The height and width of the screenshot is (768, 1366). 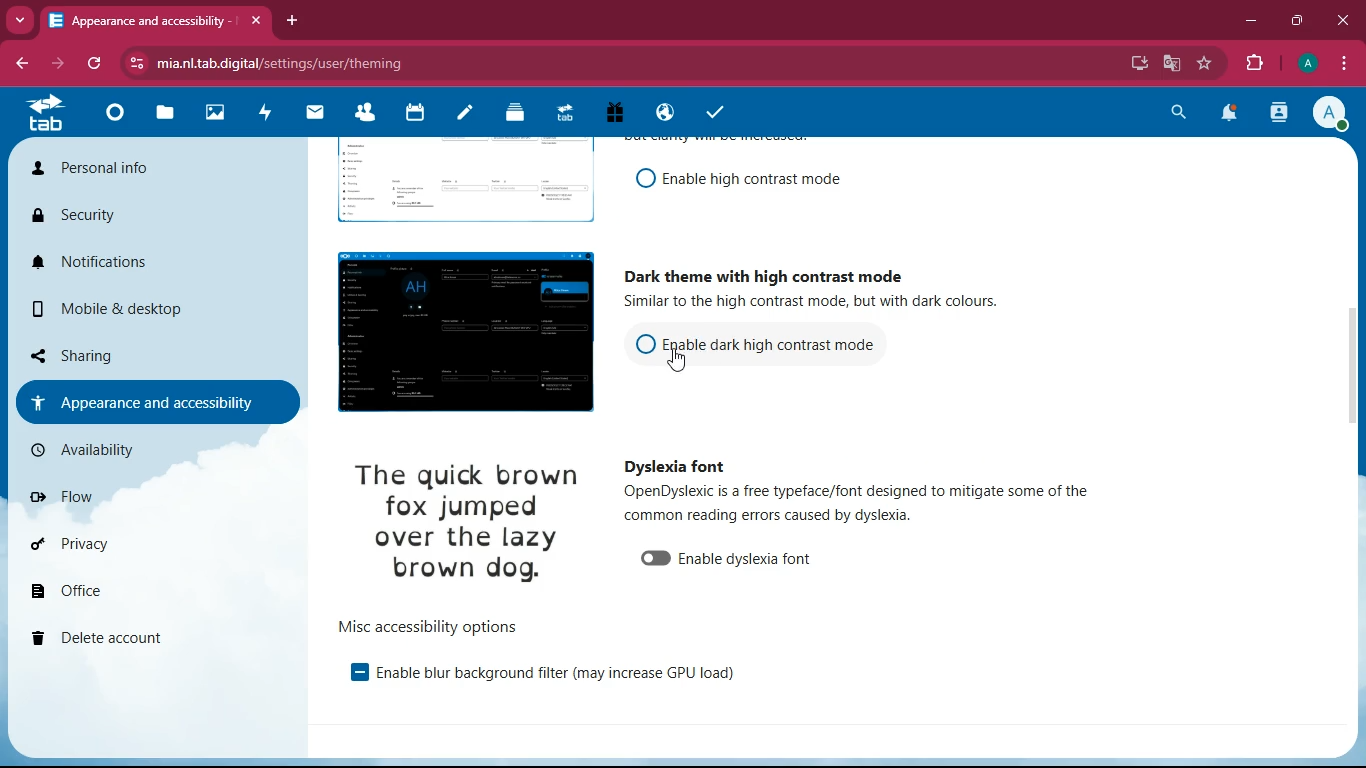 What do you see at coordinates (292, 20) in the screenshot?
I see `add tab` at bounding box center [292, 20].